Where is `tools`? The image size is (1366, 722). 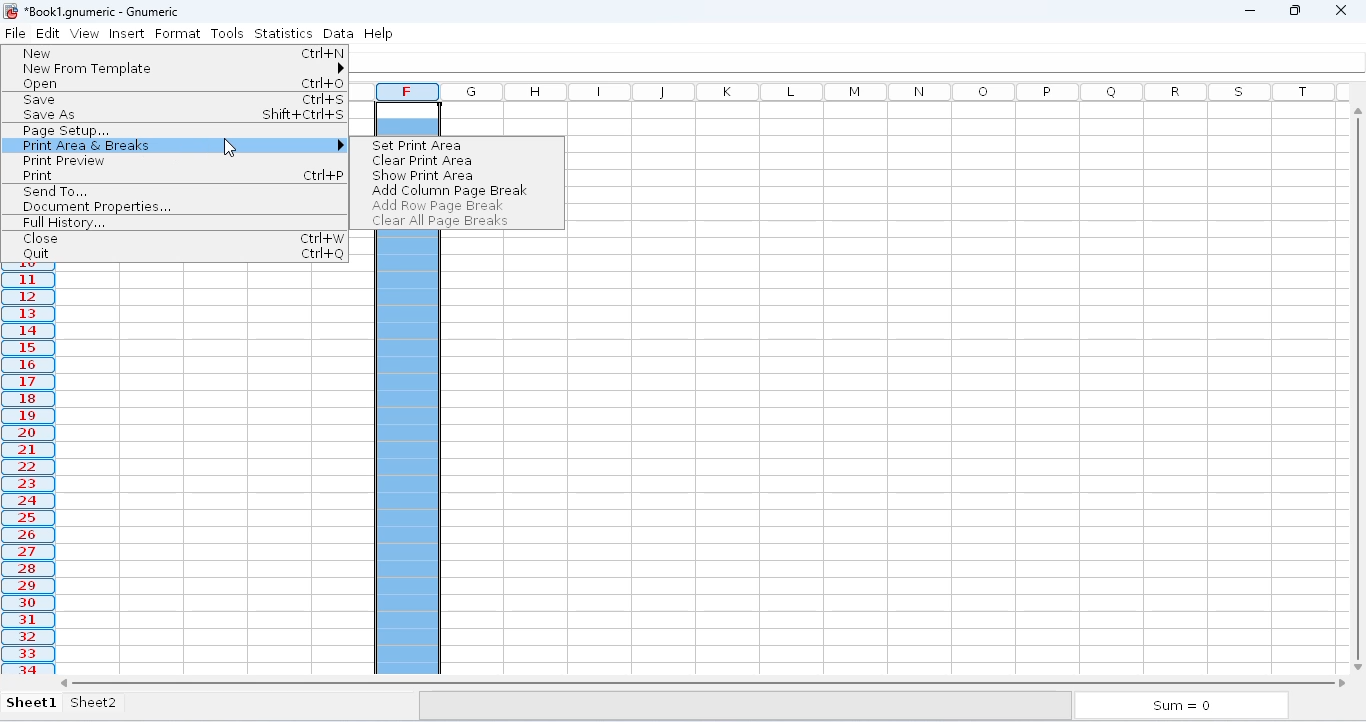
tools is located at coordinates (227, 32).